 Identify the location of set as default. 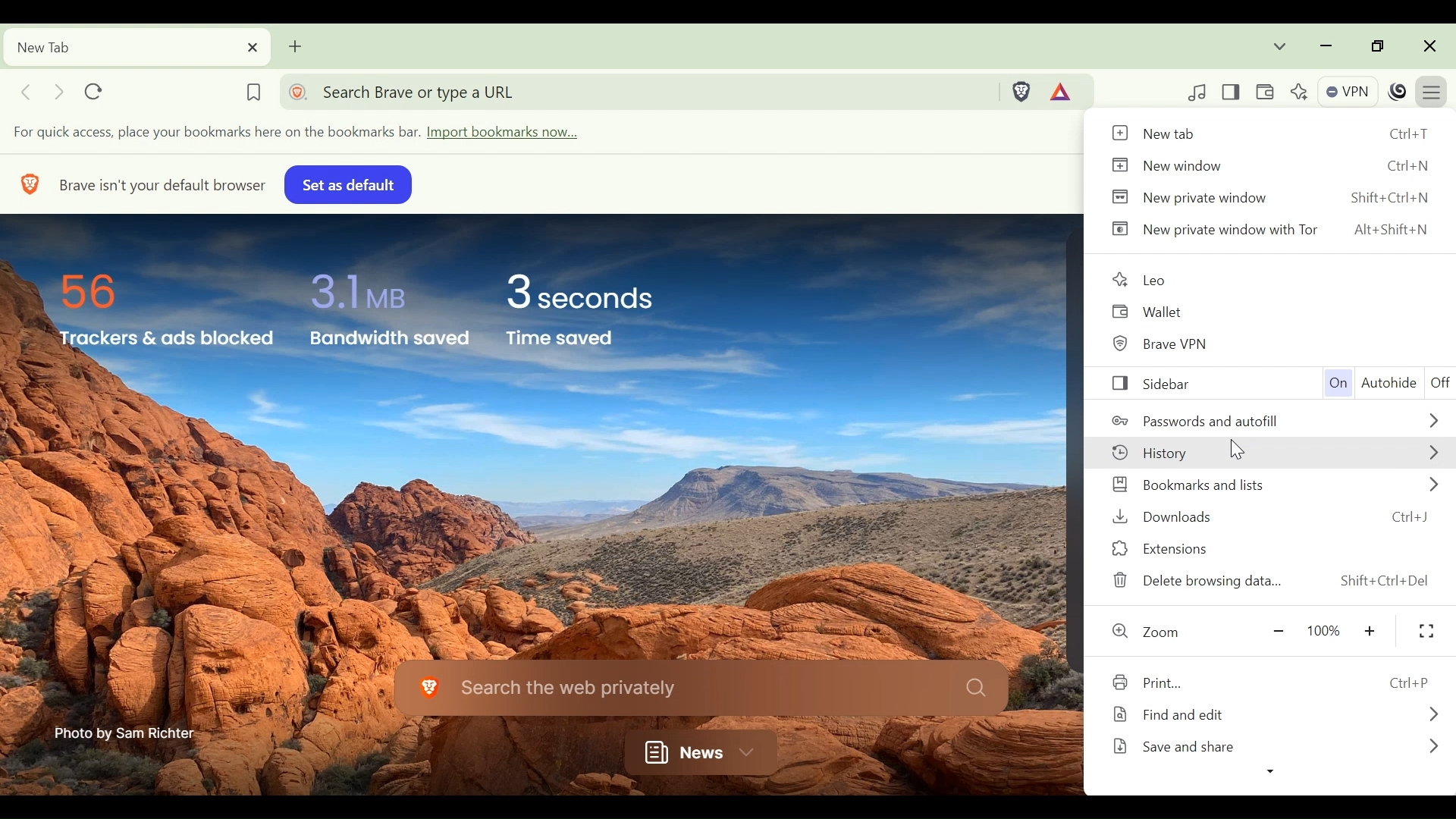
(345, 184).